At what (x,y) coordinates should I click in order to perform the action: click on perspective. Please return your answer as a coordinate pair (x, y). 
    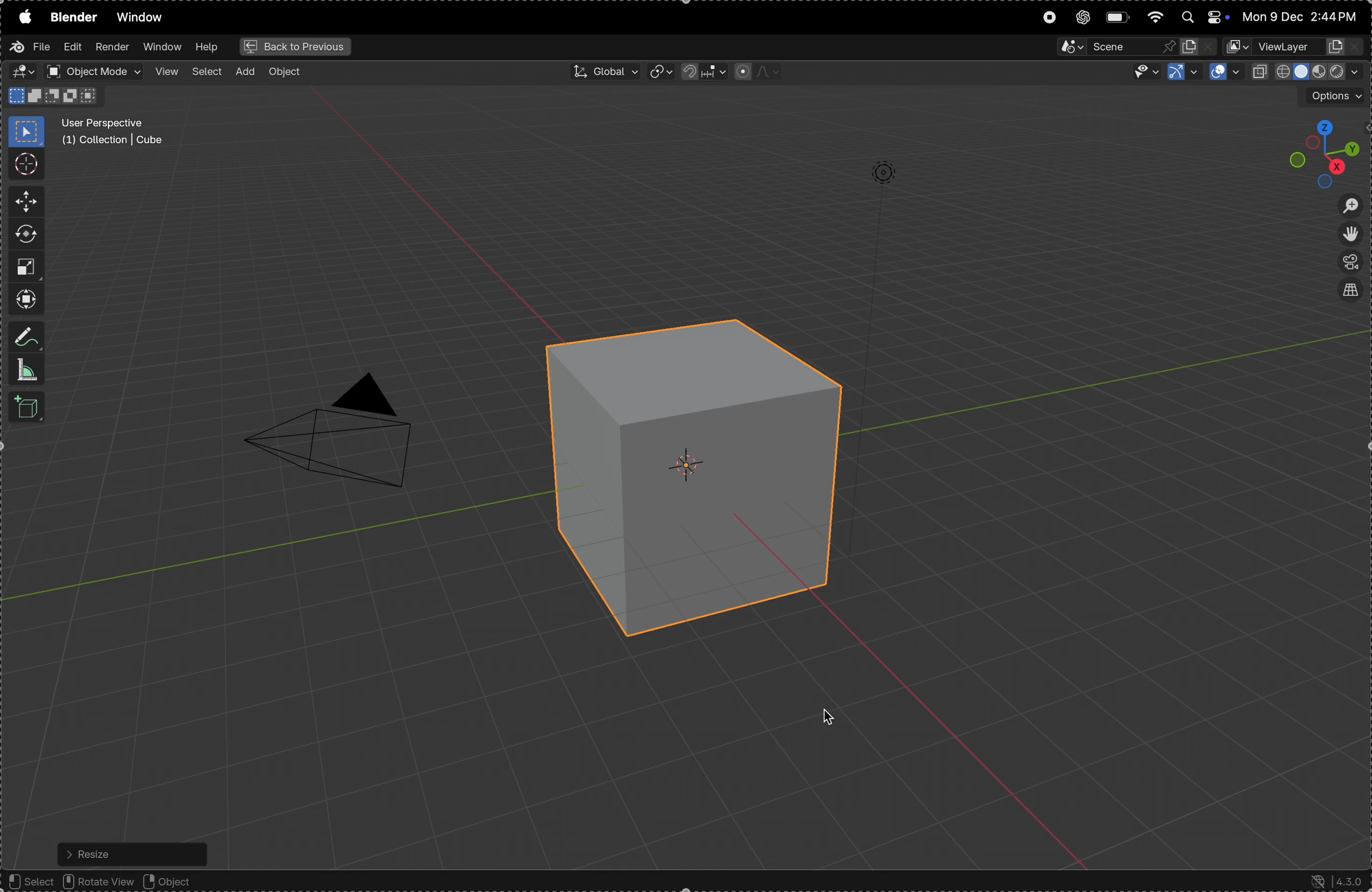
    Looking at the image, I should click on (1353, 263).